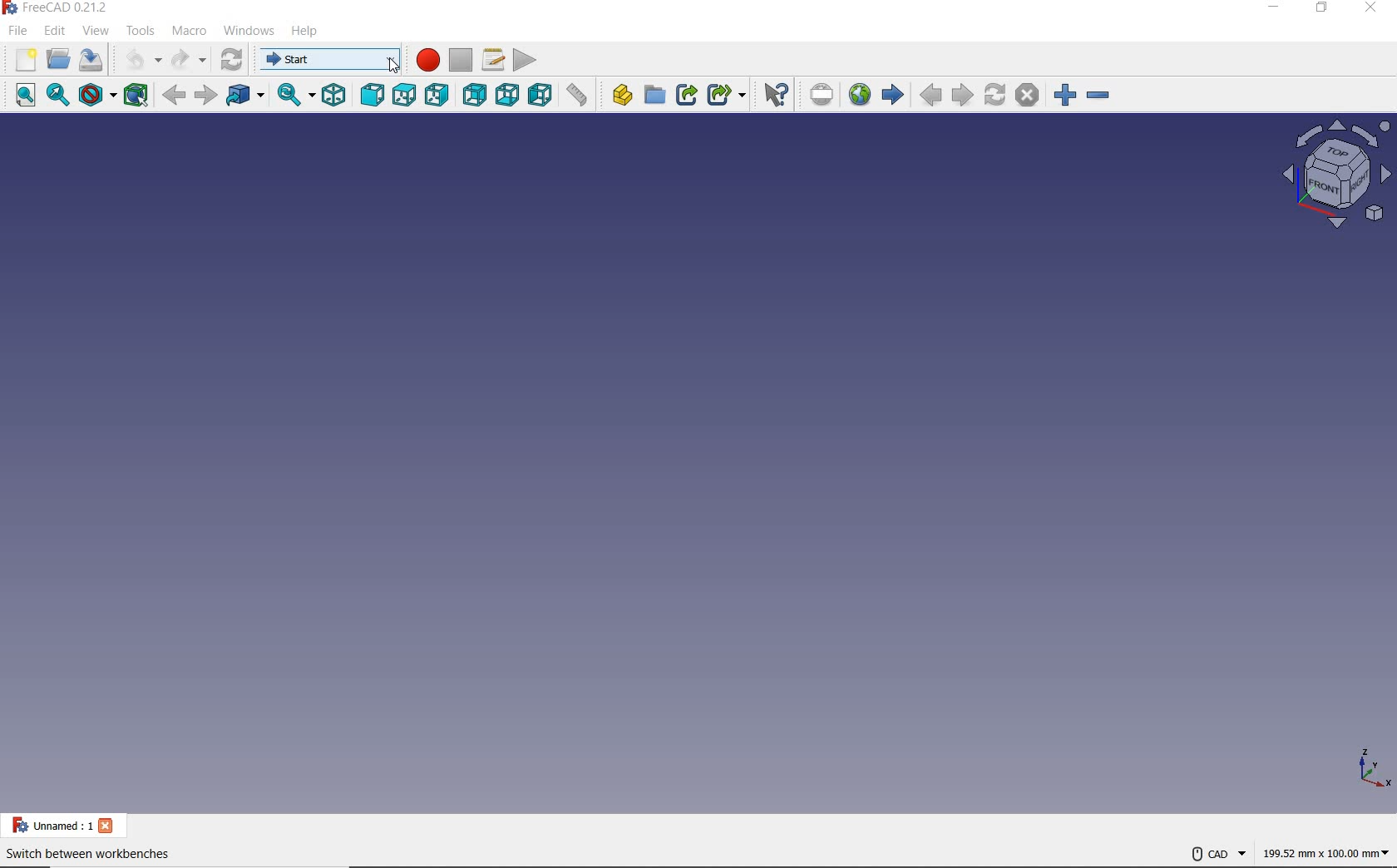  What do you see at coordinates (58, 95) in the screenshot?
I see `FIT SELECTION` at bounding box center [58, 95].